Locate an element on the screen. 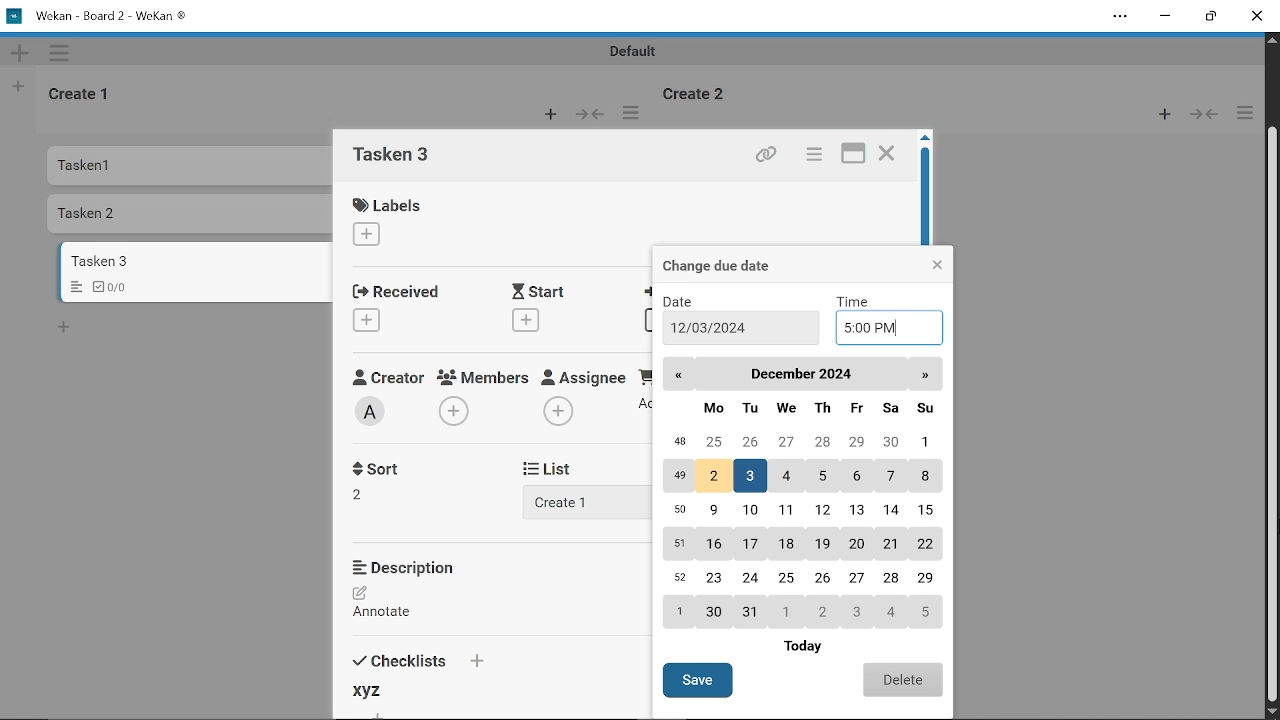 The width and height of the screenshot is (1280, 720). Checklists is located at coordinates (416, 658).